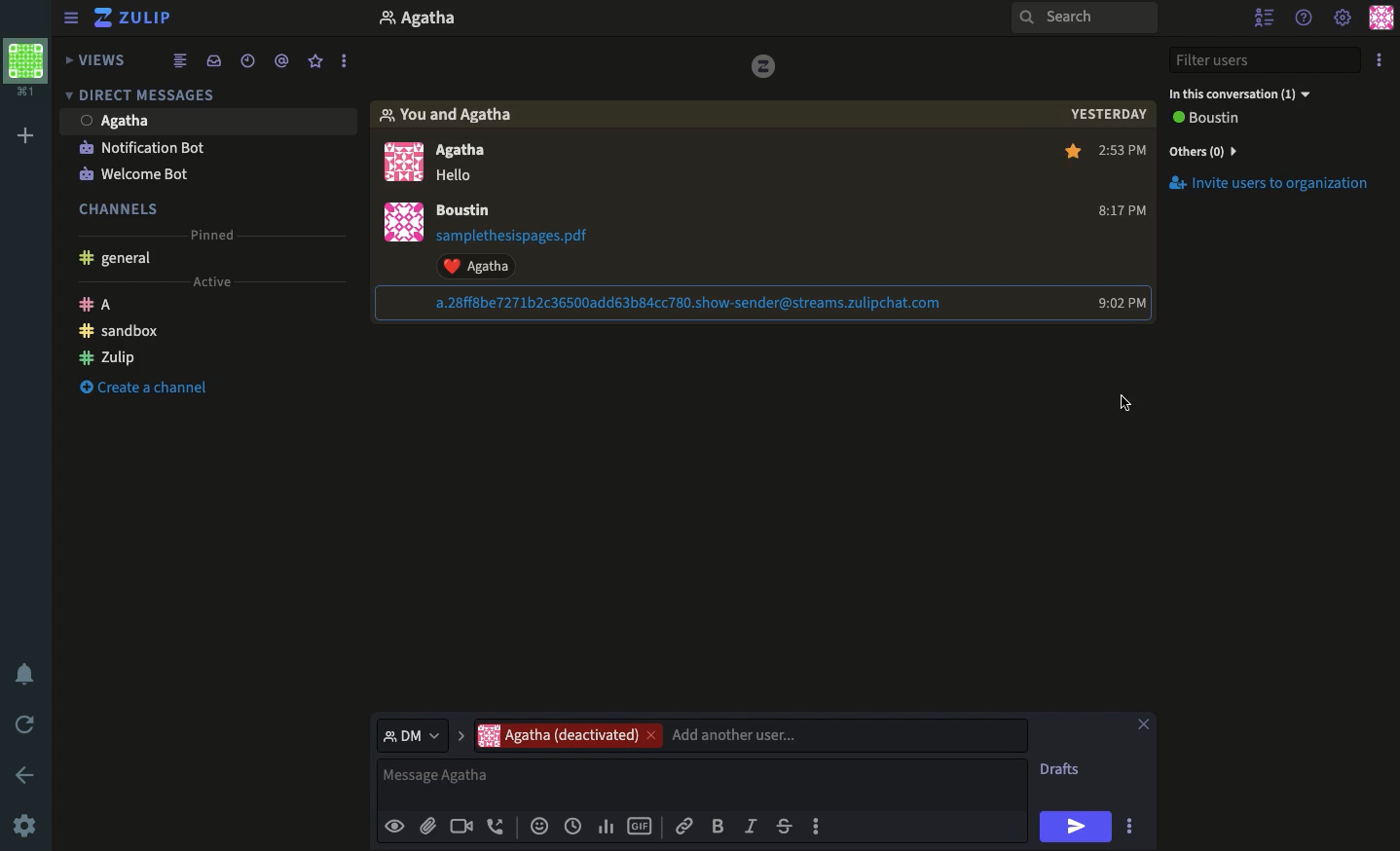  I want to click on Add, so click(29, 135).